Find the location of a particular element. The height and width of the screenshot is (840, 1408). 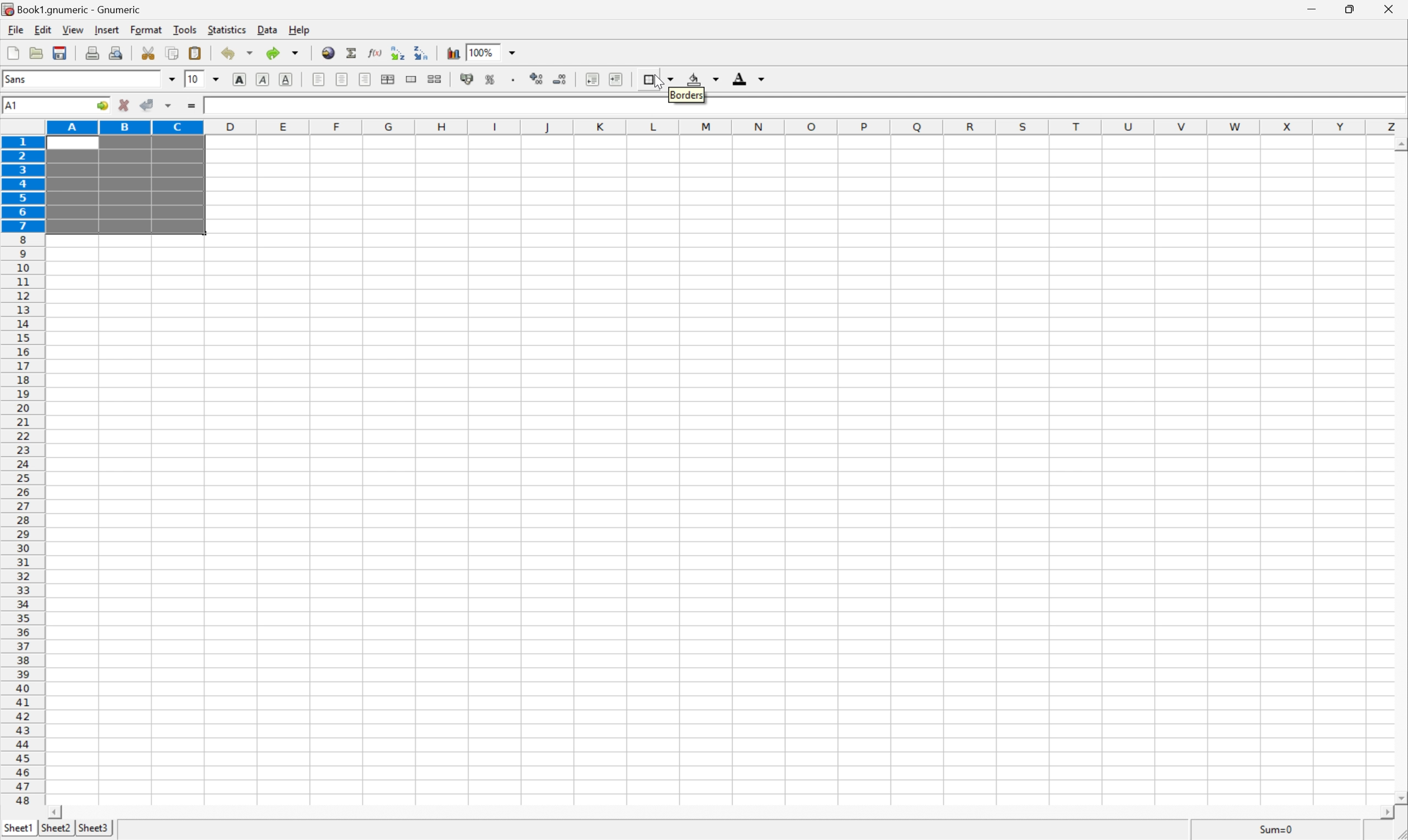

undo is located at coordinates (236, 53).